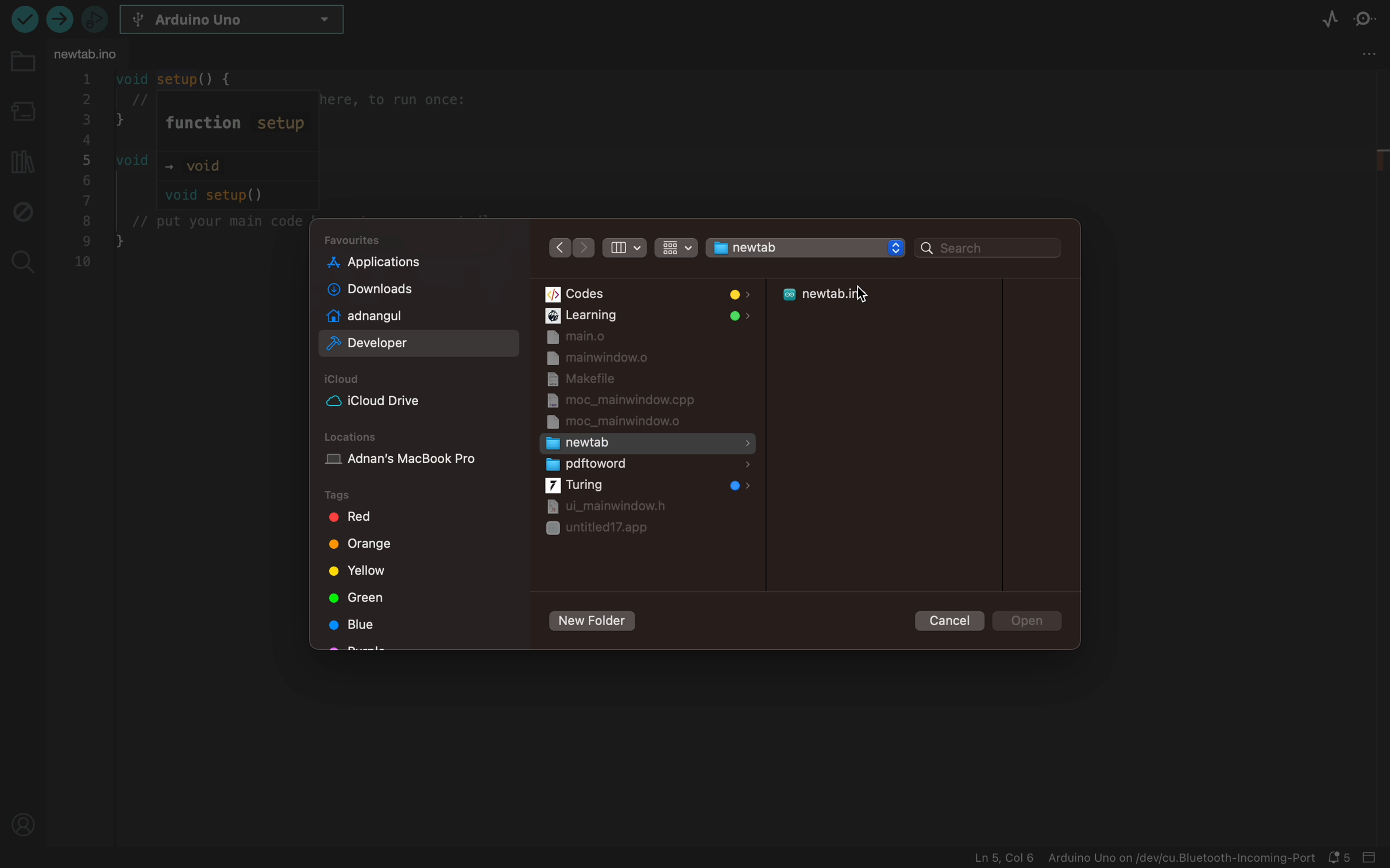 This screenshot has height=868, width=1390. What do you see at coordinates (21, 210) in the screenshot?
I see `debug` at bounding box center [21, 210].